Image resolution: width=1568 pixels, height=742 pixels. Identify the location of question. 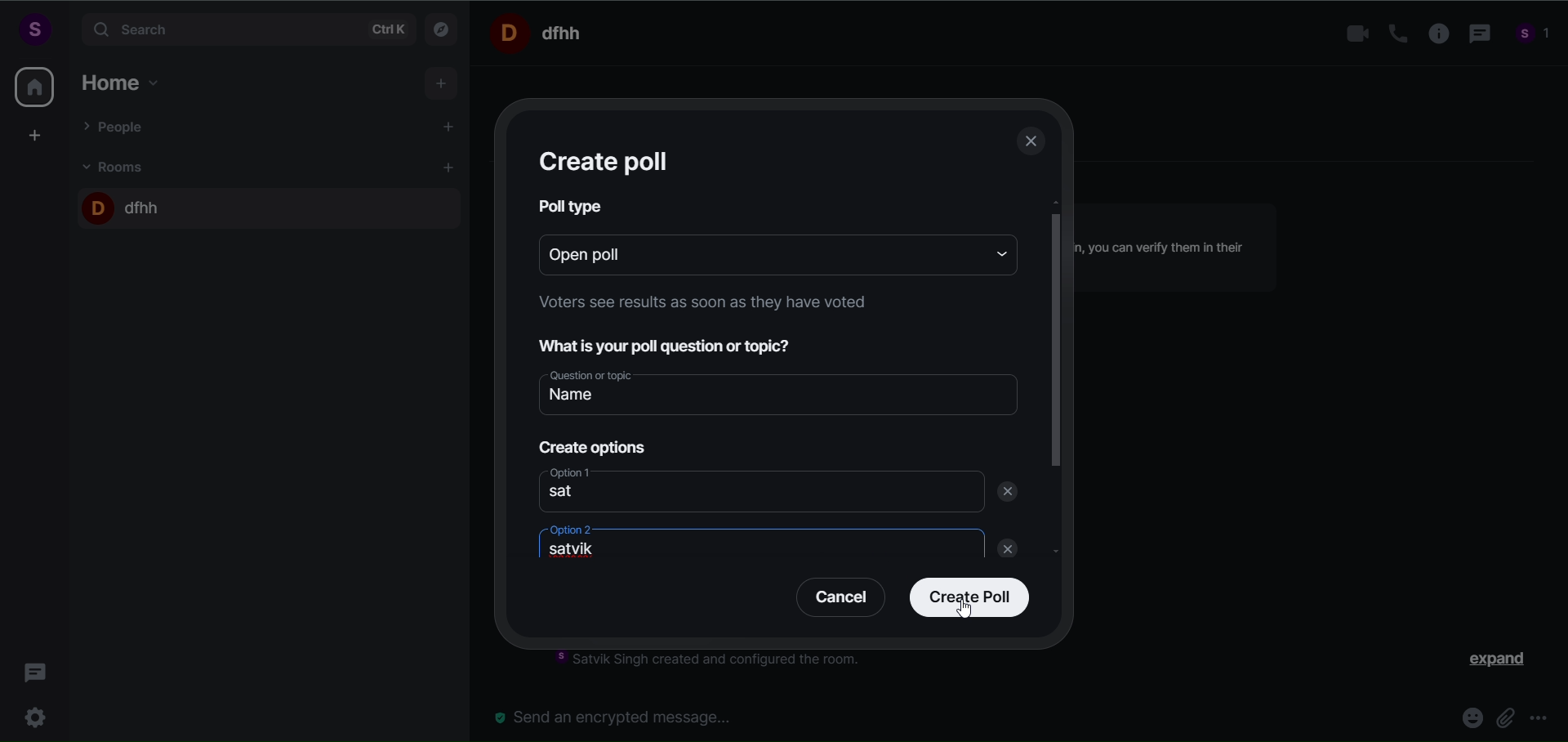
(676, 349).